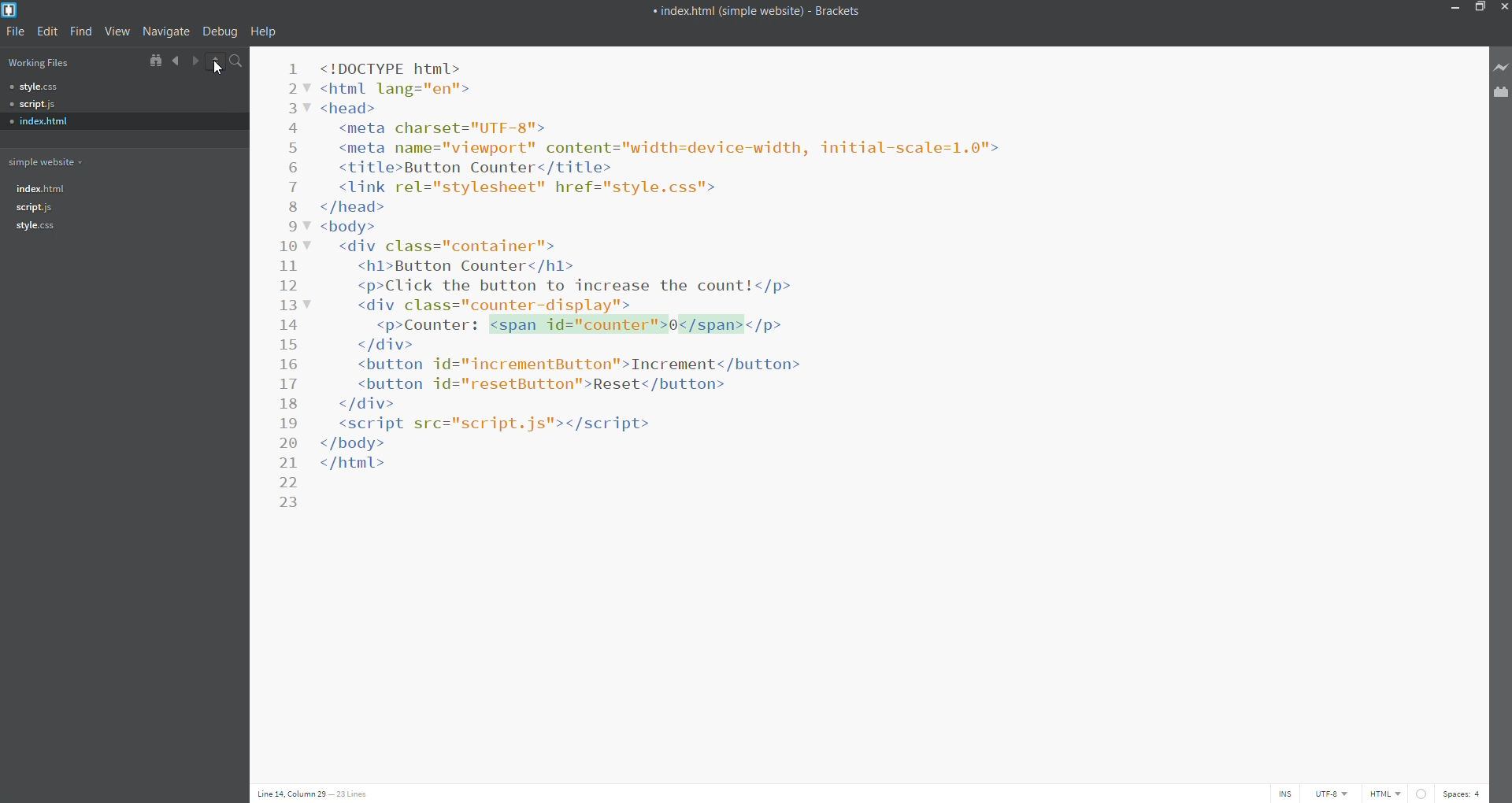 The width and height of the screenshot is (1512, 803). I want to click on view, so click(120, 31).